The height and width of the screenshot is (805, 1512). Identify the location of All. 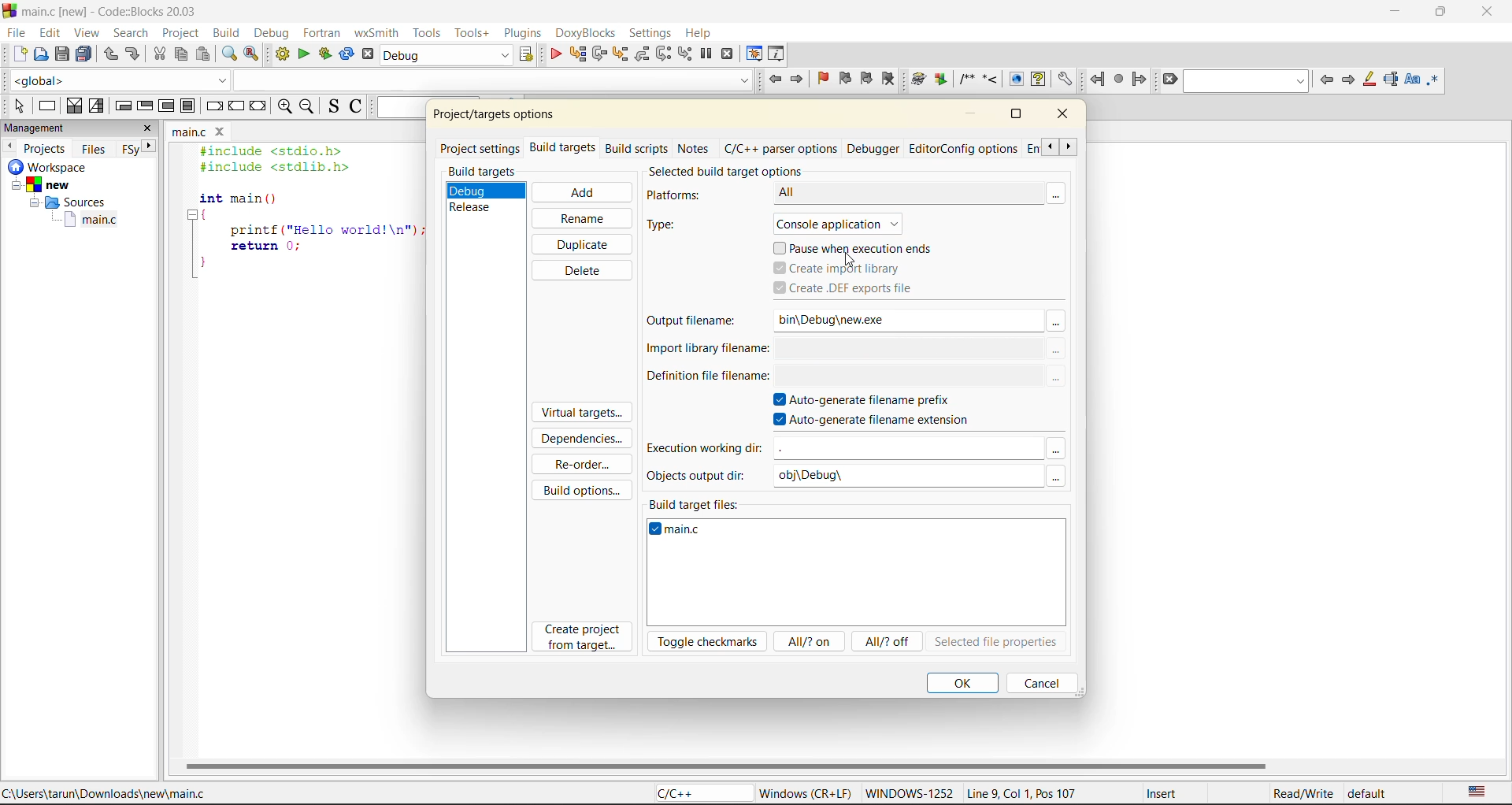
(888, 192).